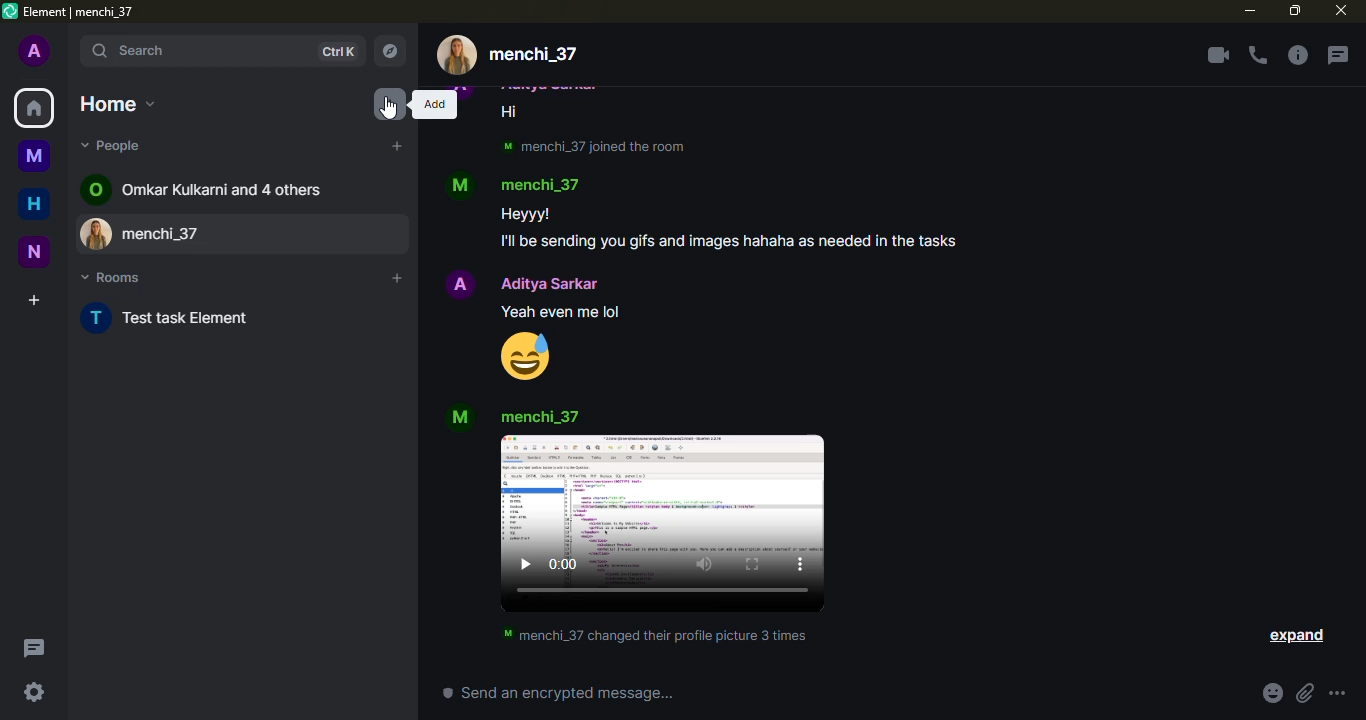  I want to click on menchi_37, so click(264, 234).